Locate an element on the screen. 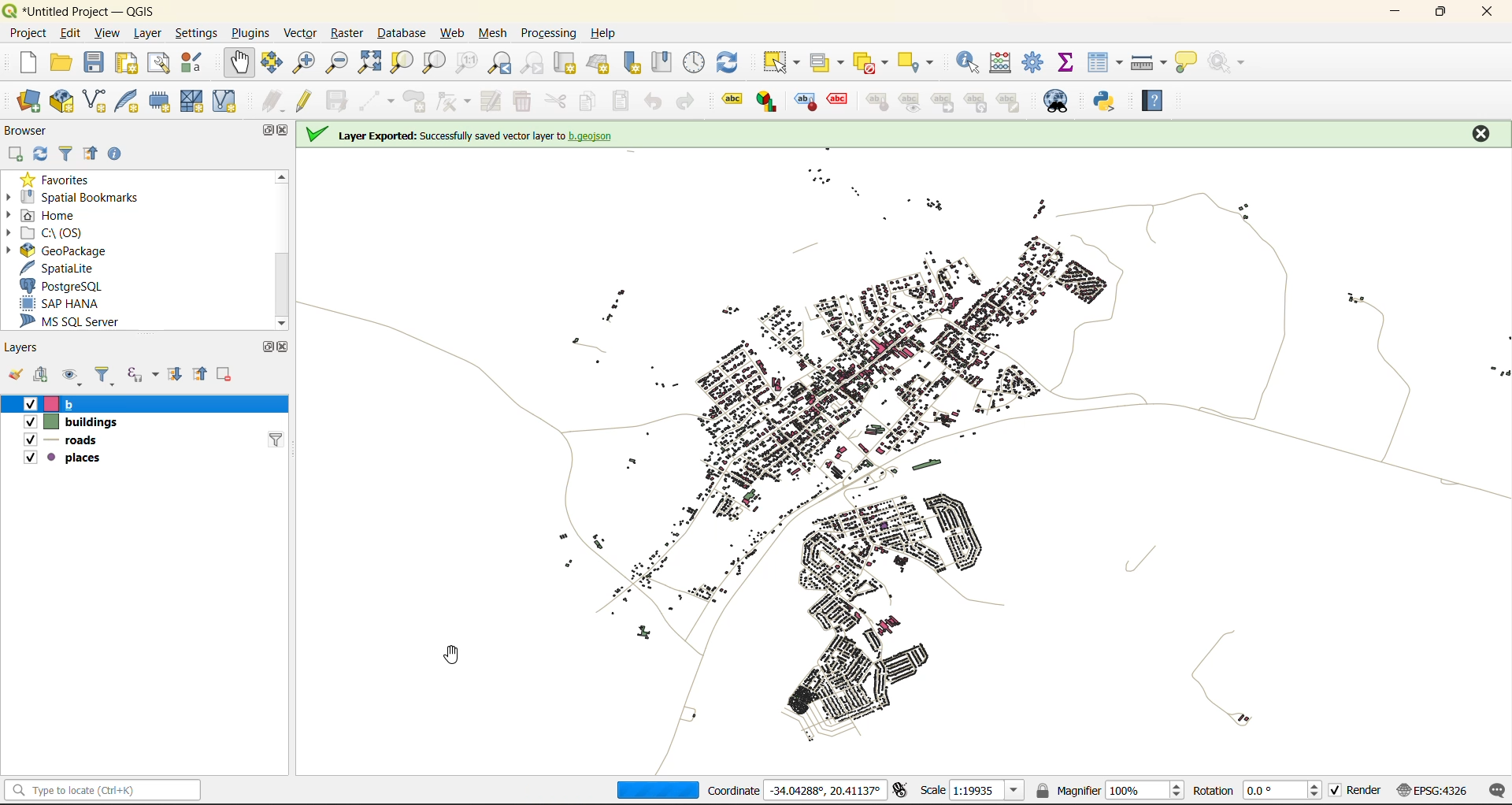  zoom last is located at coordinates (502, 61).